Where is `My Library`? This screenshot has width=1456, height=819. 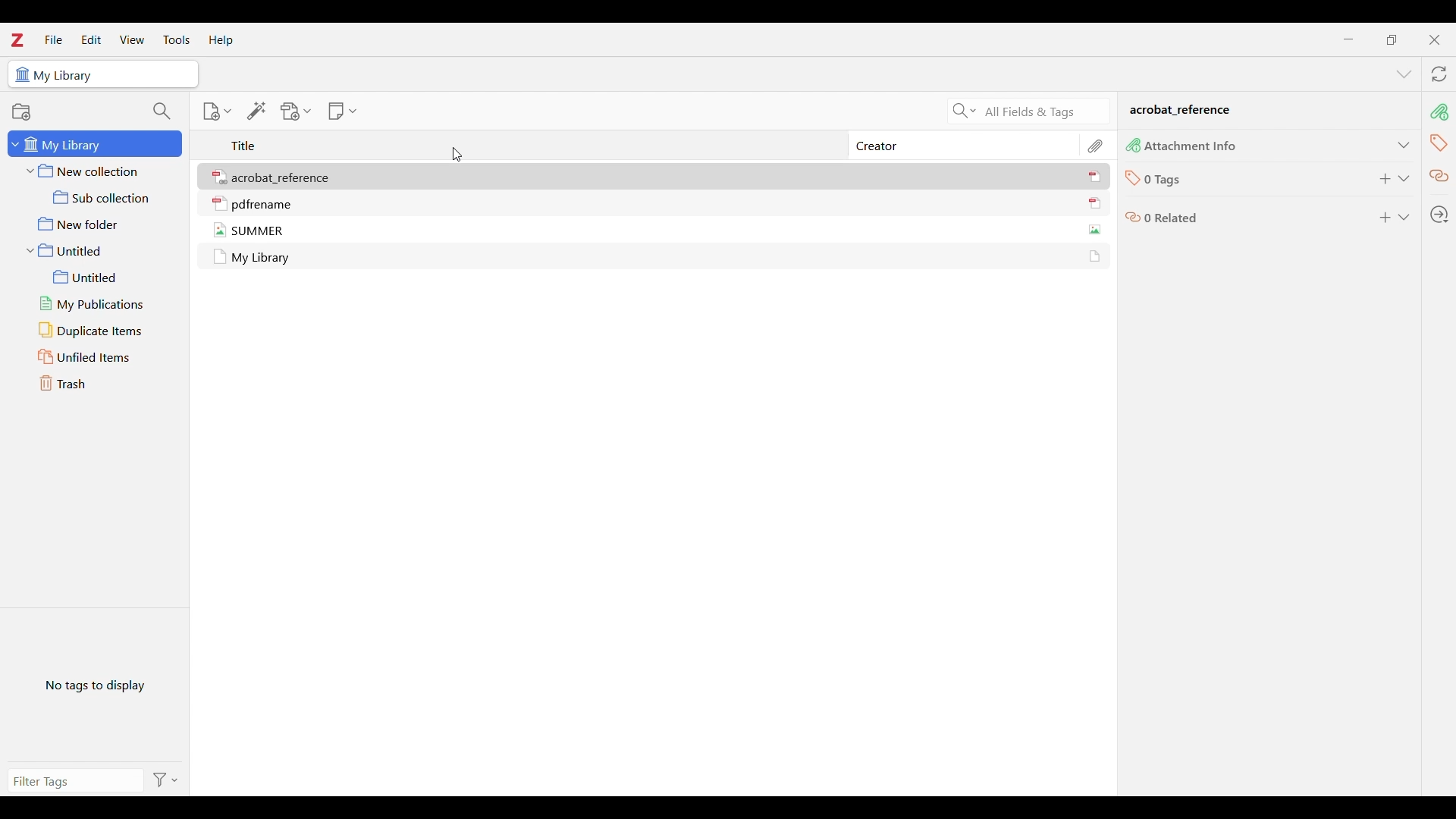
My Library is located at coordinates (66, 76).